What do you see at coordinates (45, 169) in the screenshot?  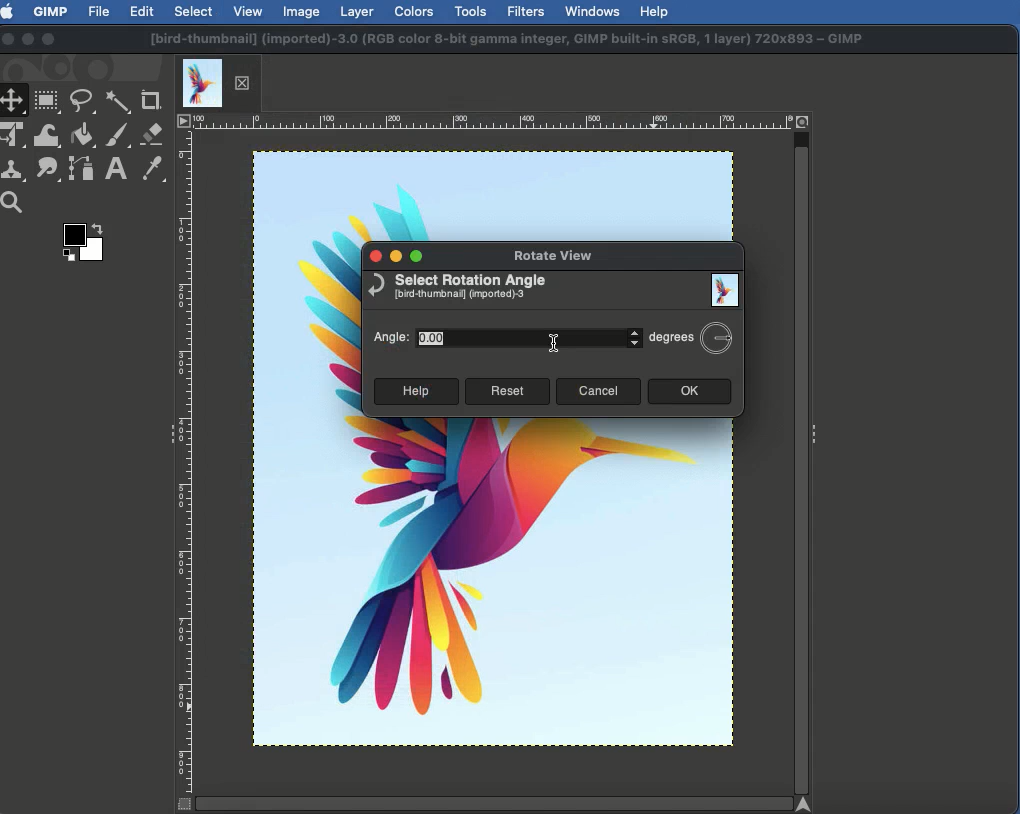 I see `Smudge tool` at bounding box center [45, 169].